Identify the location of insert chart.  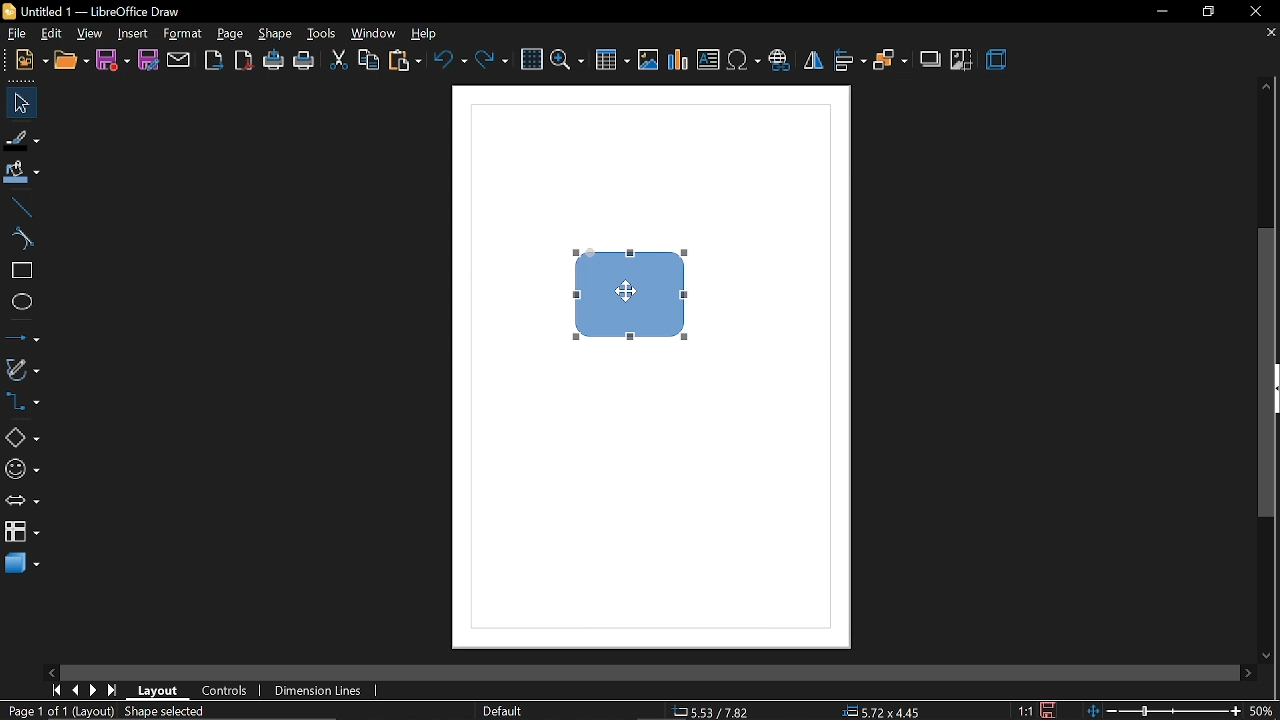
(676, 60).